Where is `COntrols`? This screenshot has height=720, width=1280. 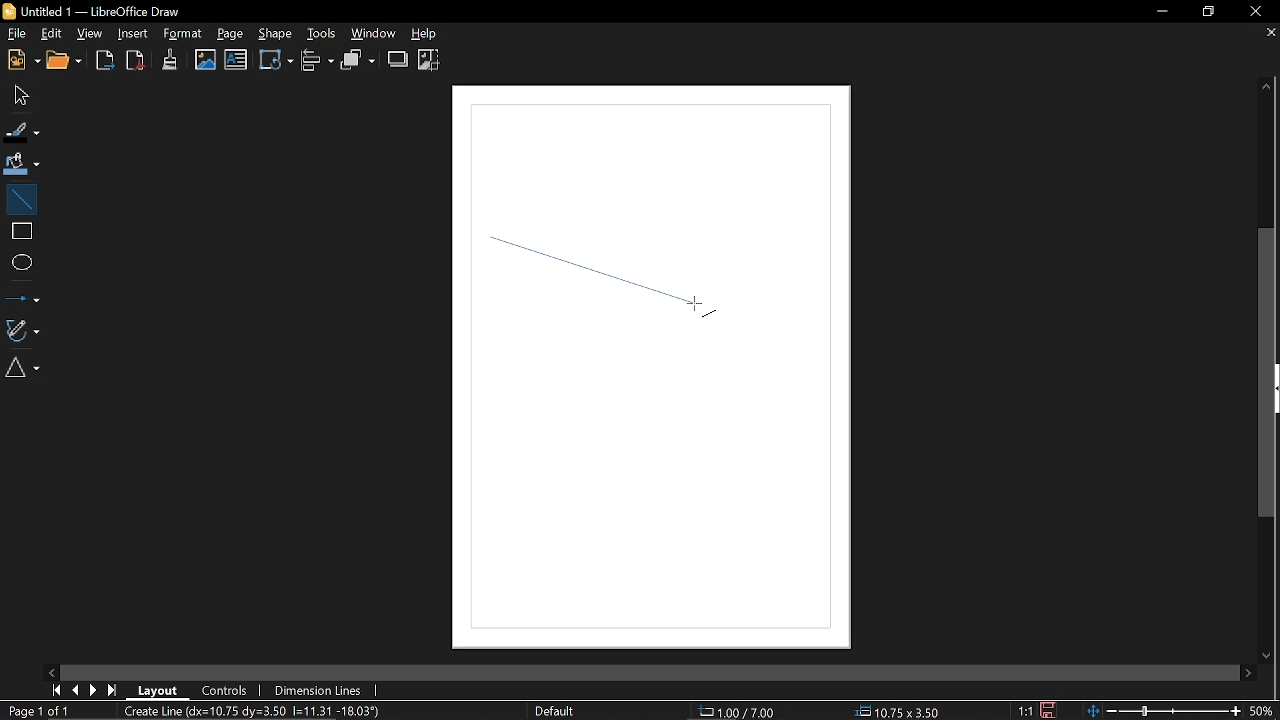 COntrols is located at coordinates (226, 689).